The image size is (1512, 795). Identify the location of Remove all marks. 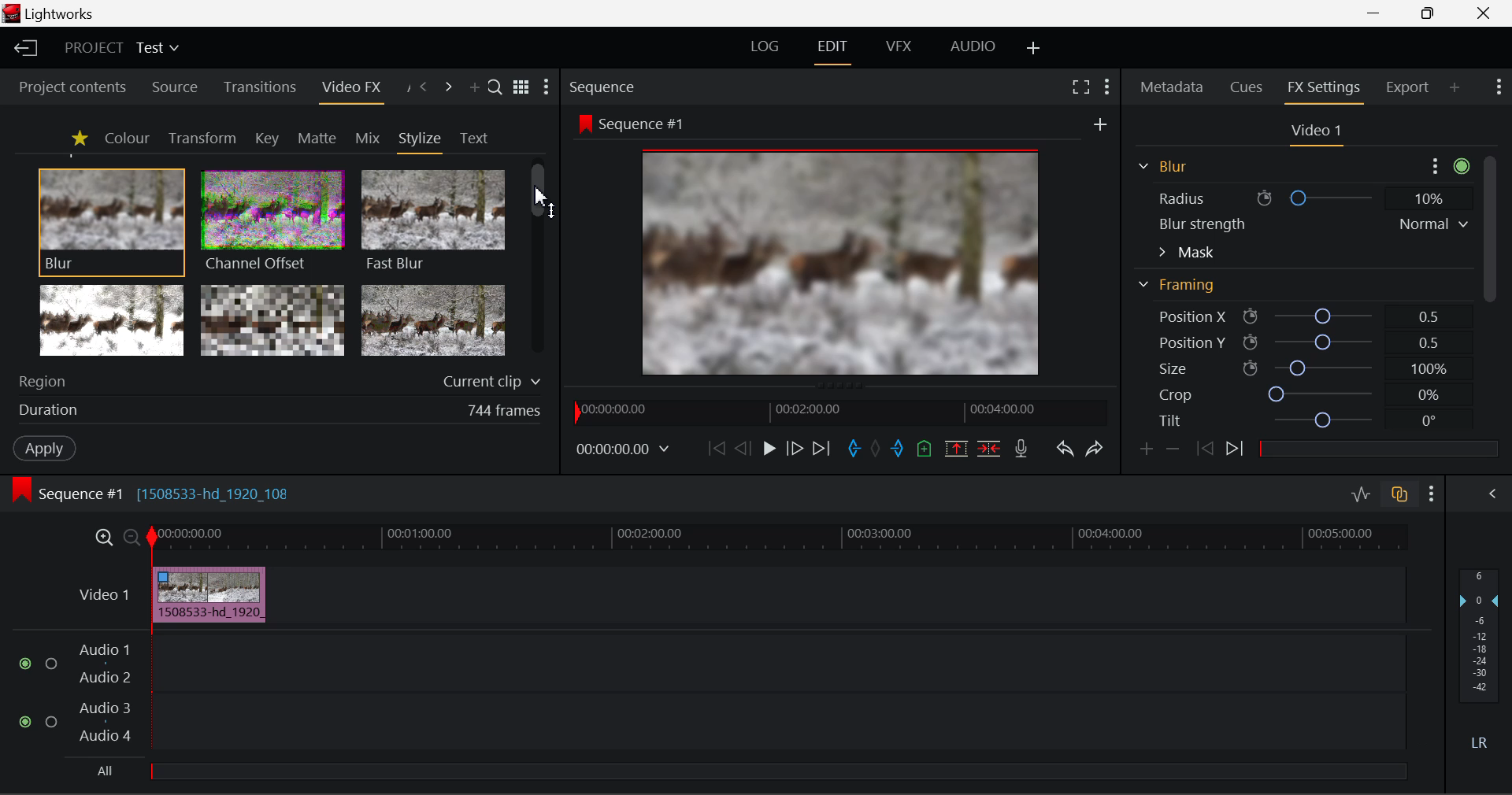
(876, 446).